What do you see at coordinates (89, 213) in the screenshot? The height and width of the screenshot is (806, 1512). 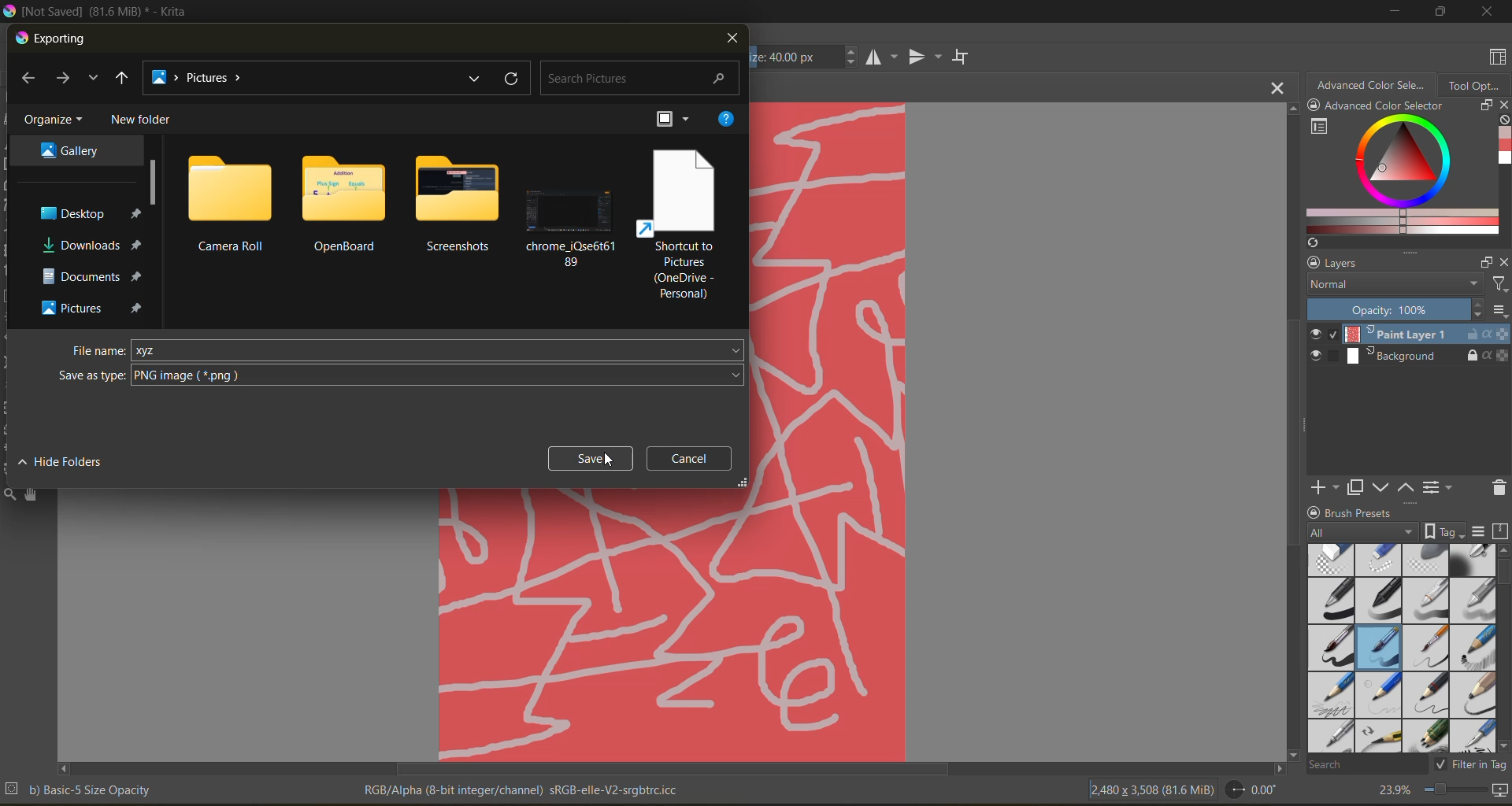 I see `folder destination` at bounding box center [89, 213].